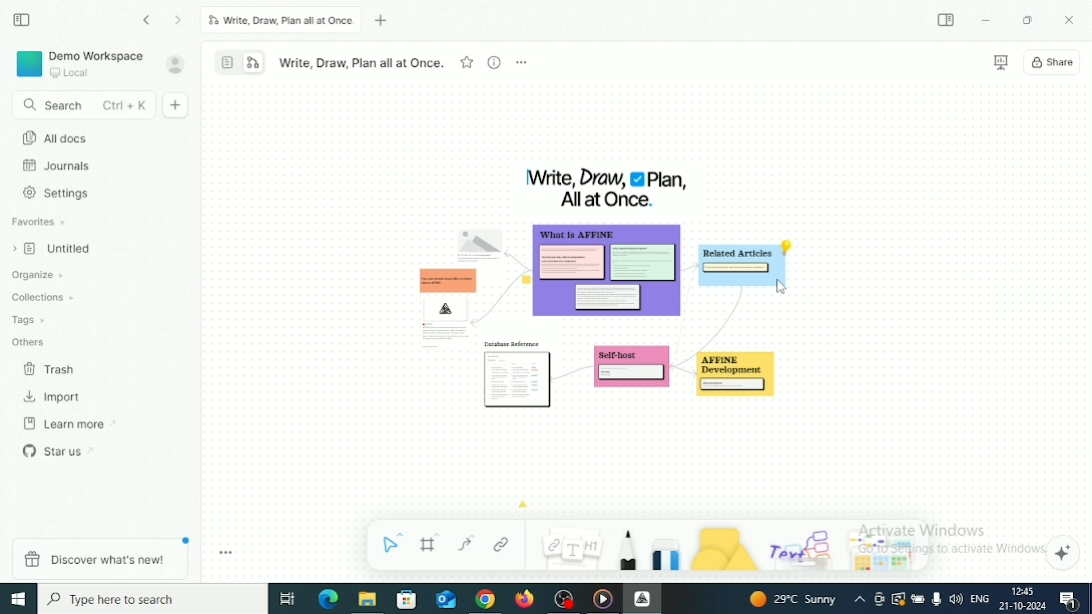 The width and height of the screenshot is (1092, 614). Describe the element at coordinates (445, 599) in the screenshot. I see `Mail` at that location.